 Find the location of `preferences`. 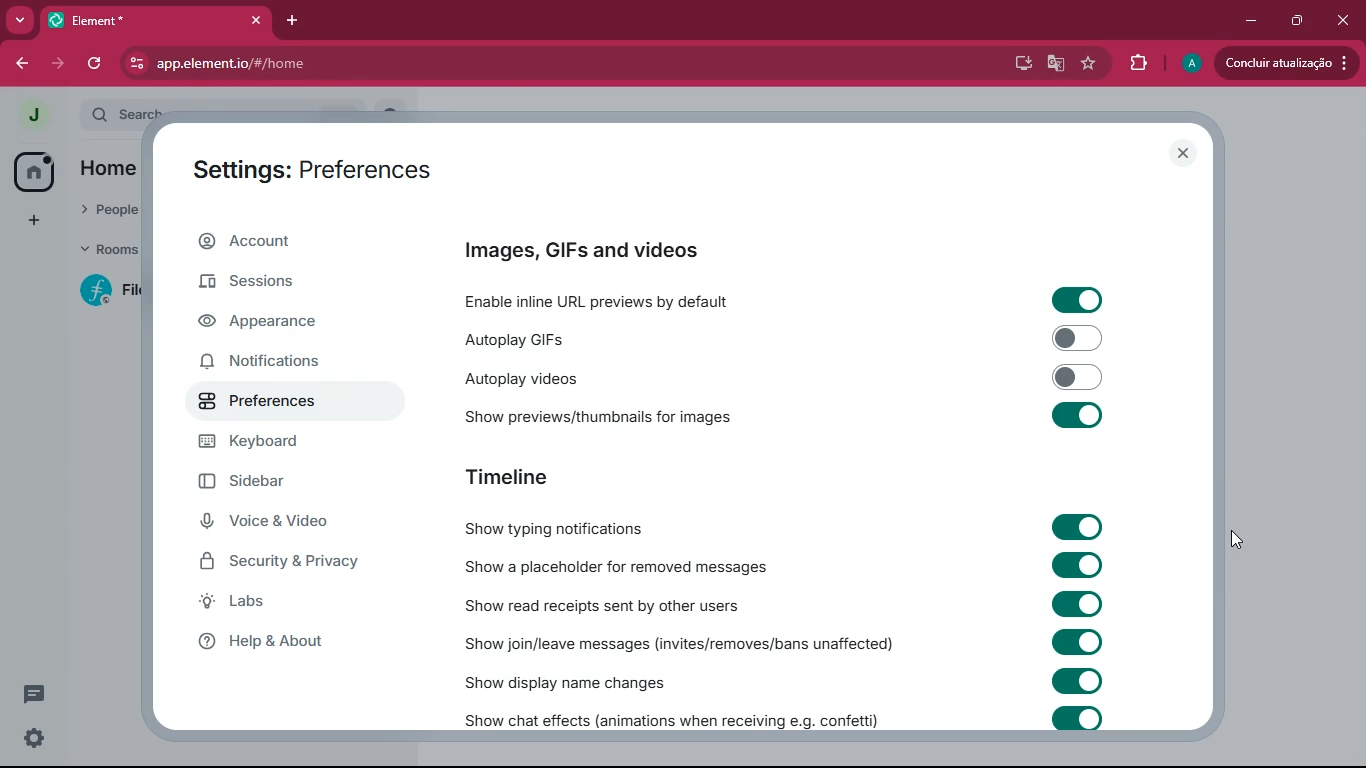

preferences is located at coordinates (261, 401).